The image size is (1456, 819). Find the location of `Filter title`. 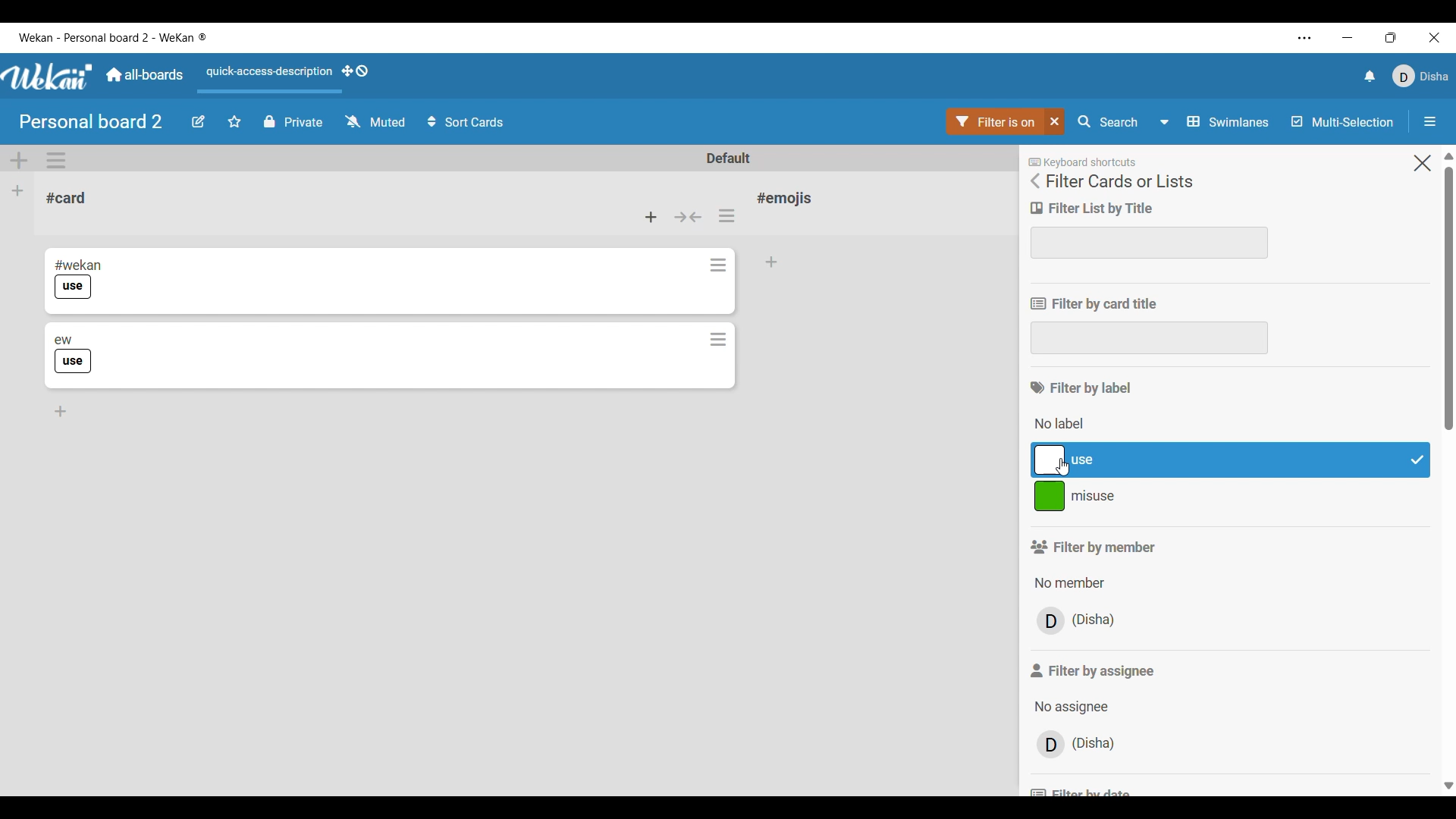

Filter title is located at coordinates (1094, 304).